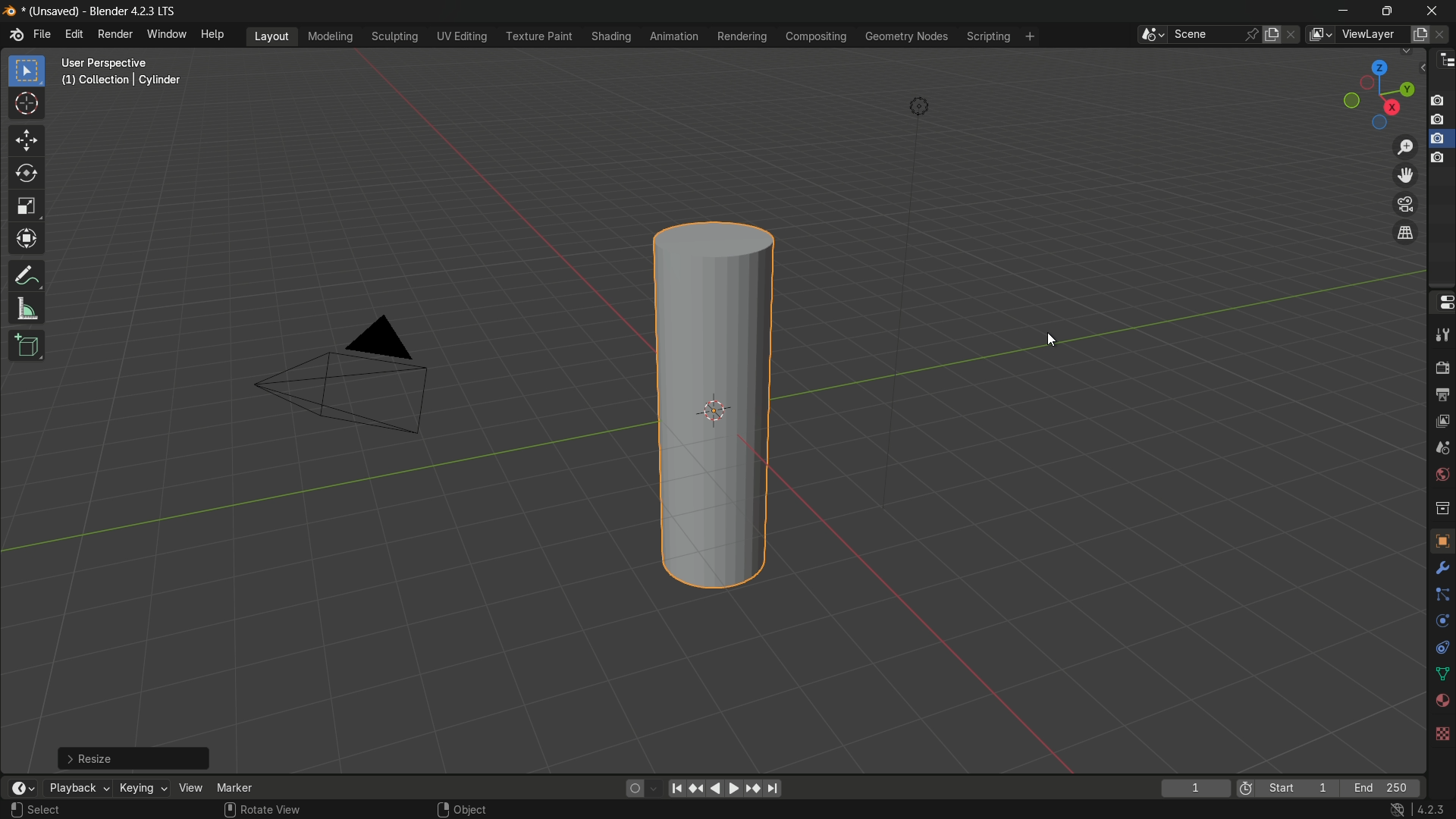  What do you see at coordinates (674, 36) in the screenshot?
I see `animation` at bounding box center [674, 36].